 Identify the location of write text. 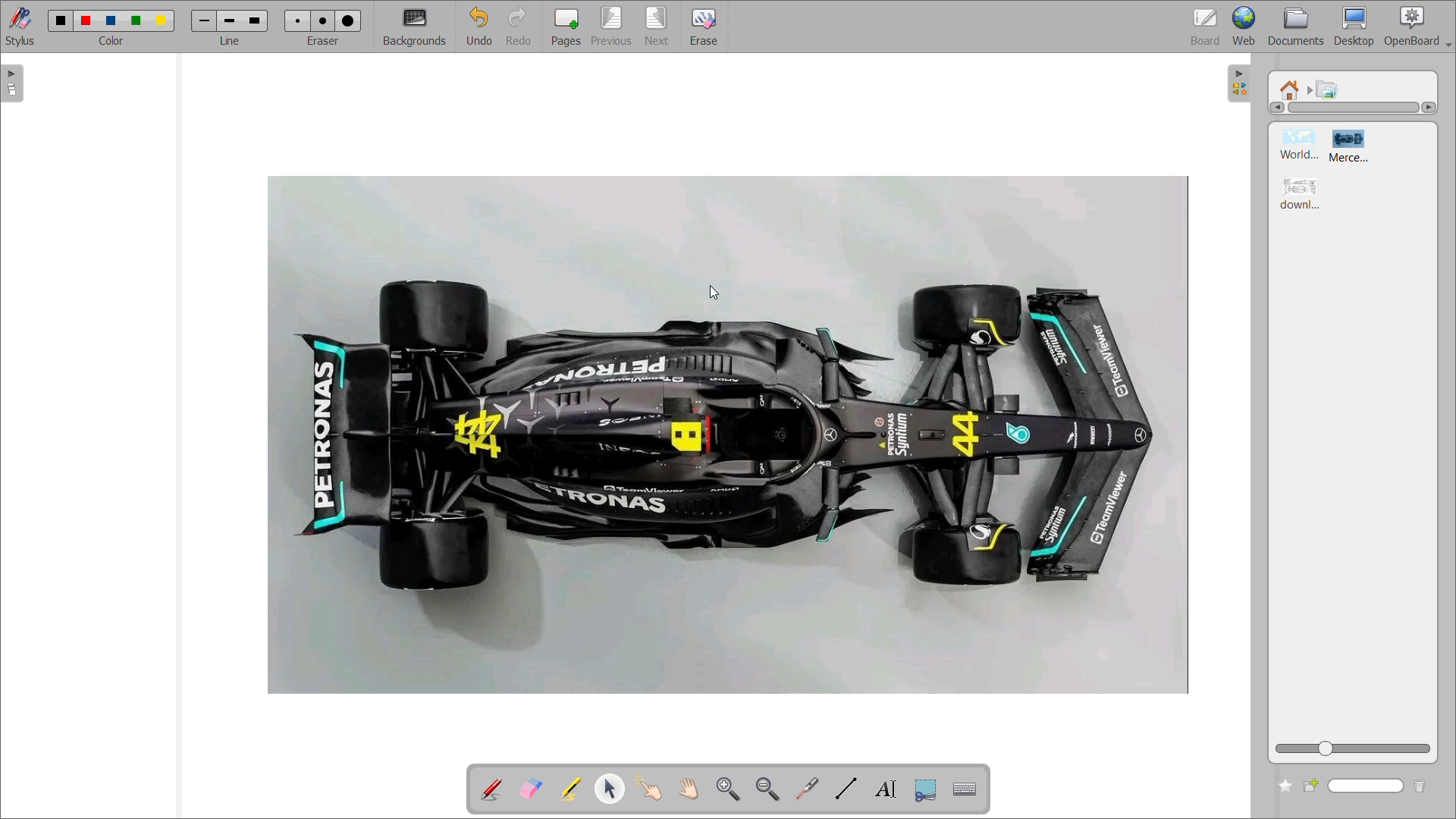
(888, 788).